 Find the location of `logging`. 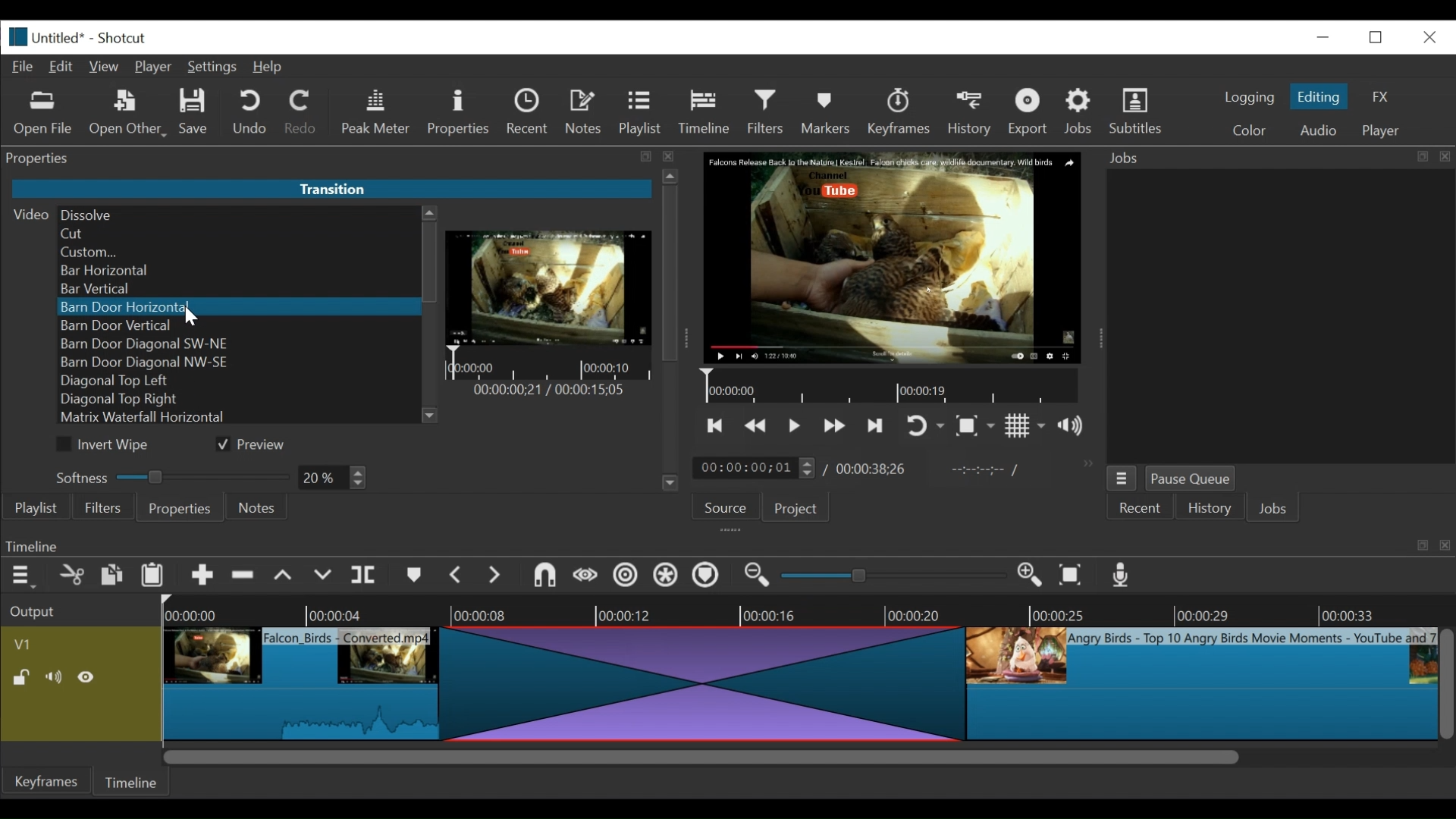

logging is located at coordinates (1248, 97).